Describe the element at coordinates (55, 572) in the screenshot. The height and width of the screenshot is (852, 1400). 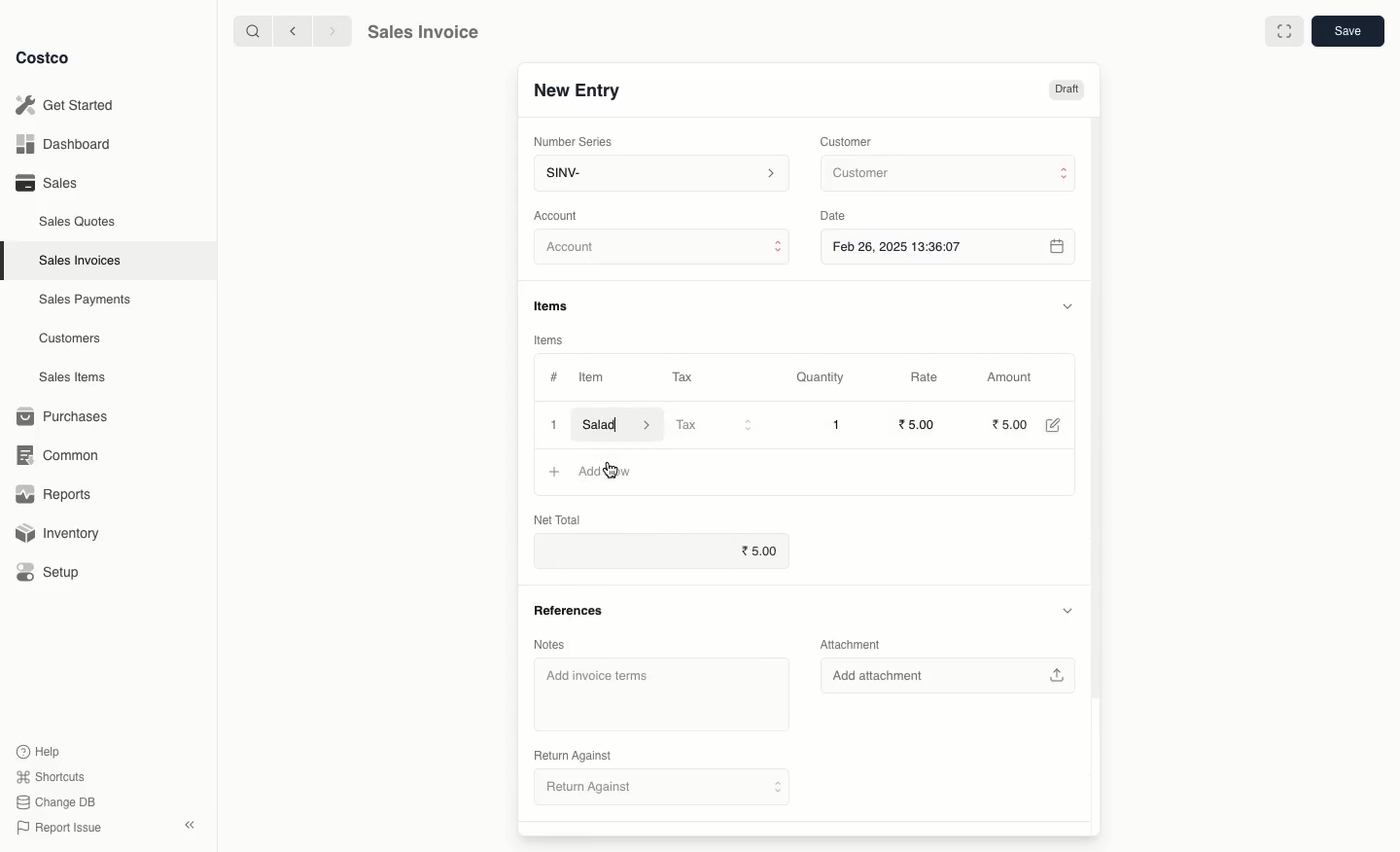
I see `Setup` at that location.